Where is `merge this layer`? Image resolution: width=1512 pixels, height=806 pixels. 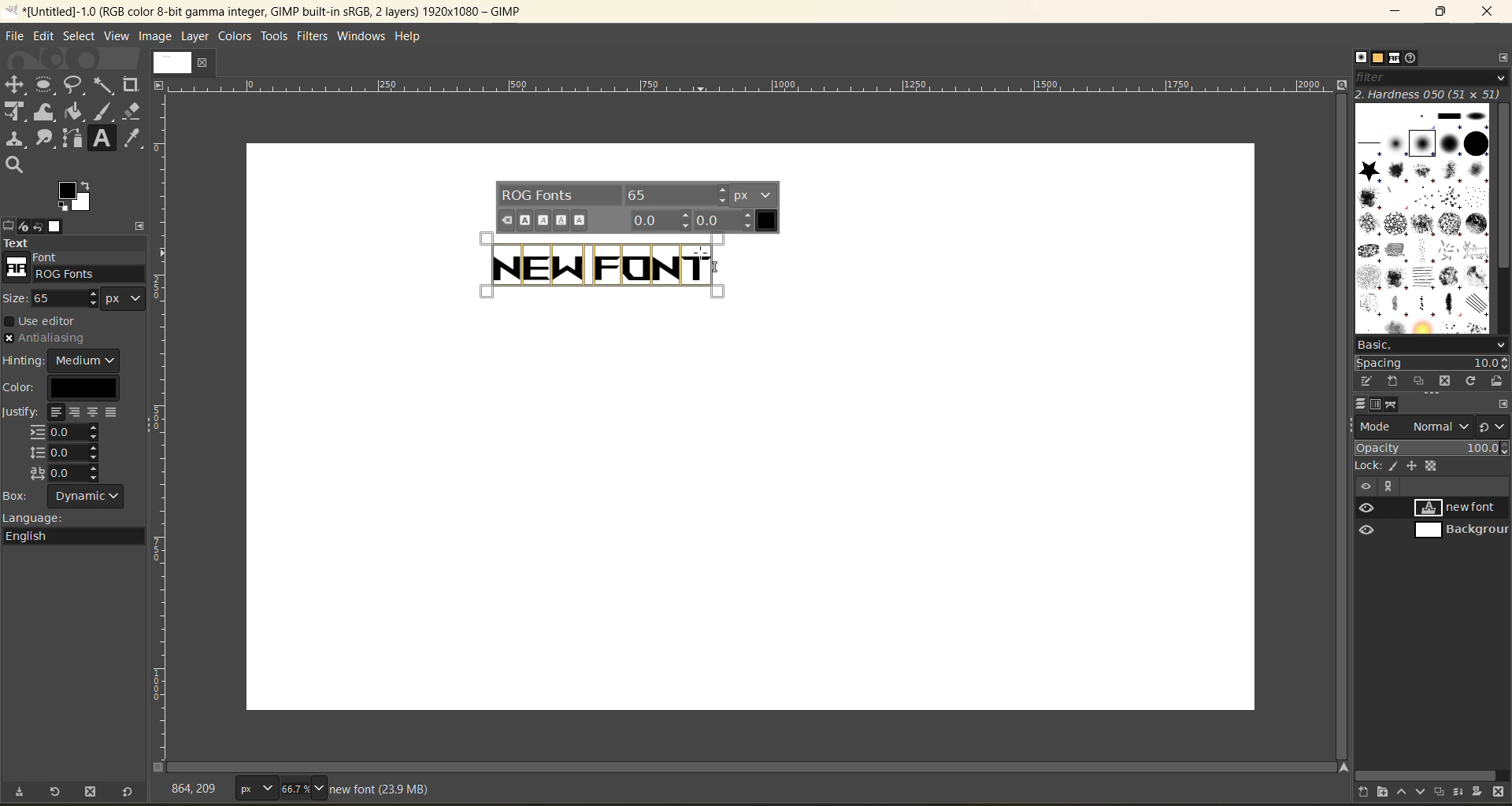 merge this layer is located at coordinates (1464, 793).